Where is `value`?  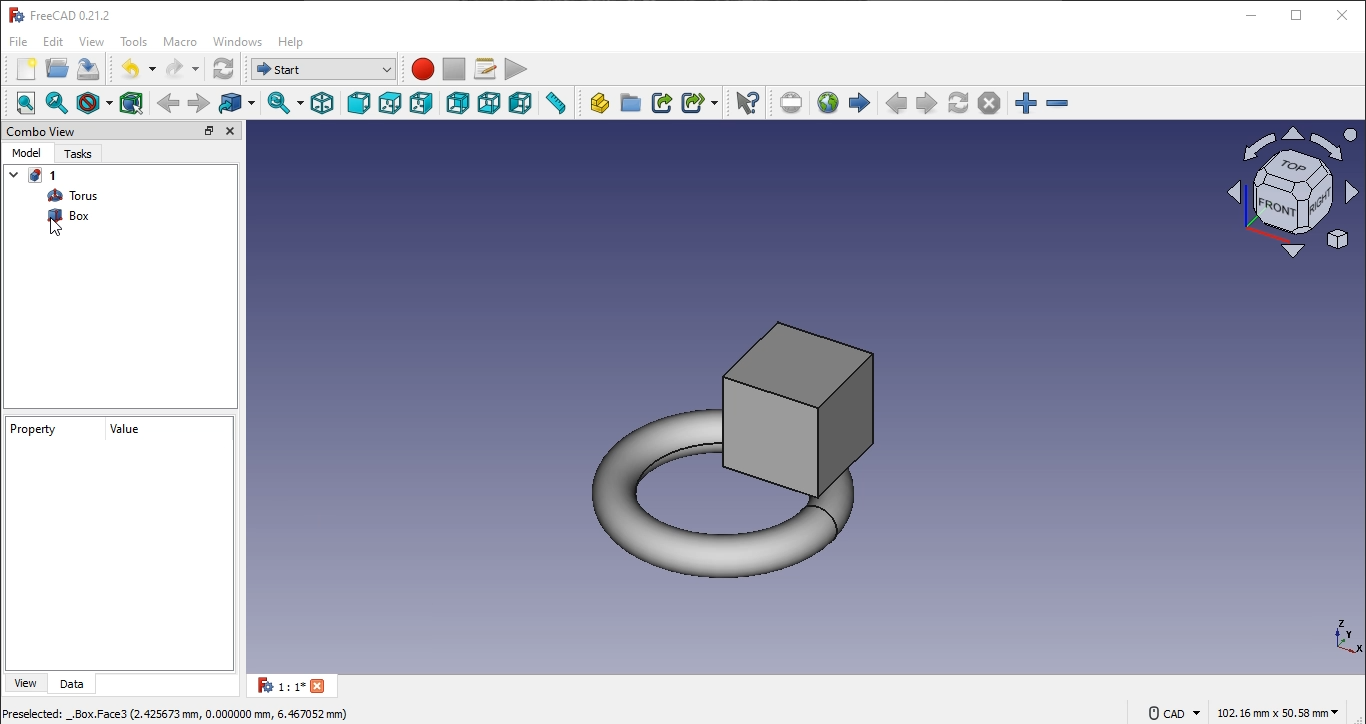
value is located at coordinates (126, 429).